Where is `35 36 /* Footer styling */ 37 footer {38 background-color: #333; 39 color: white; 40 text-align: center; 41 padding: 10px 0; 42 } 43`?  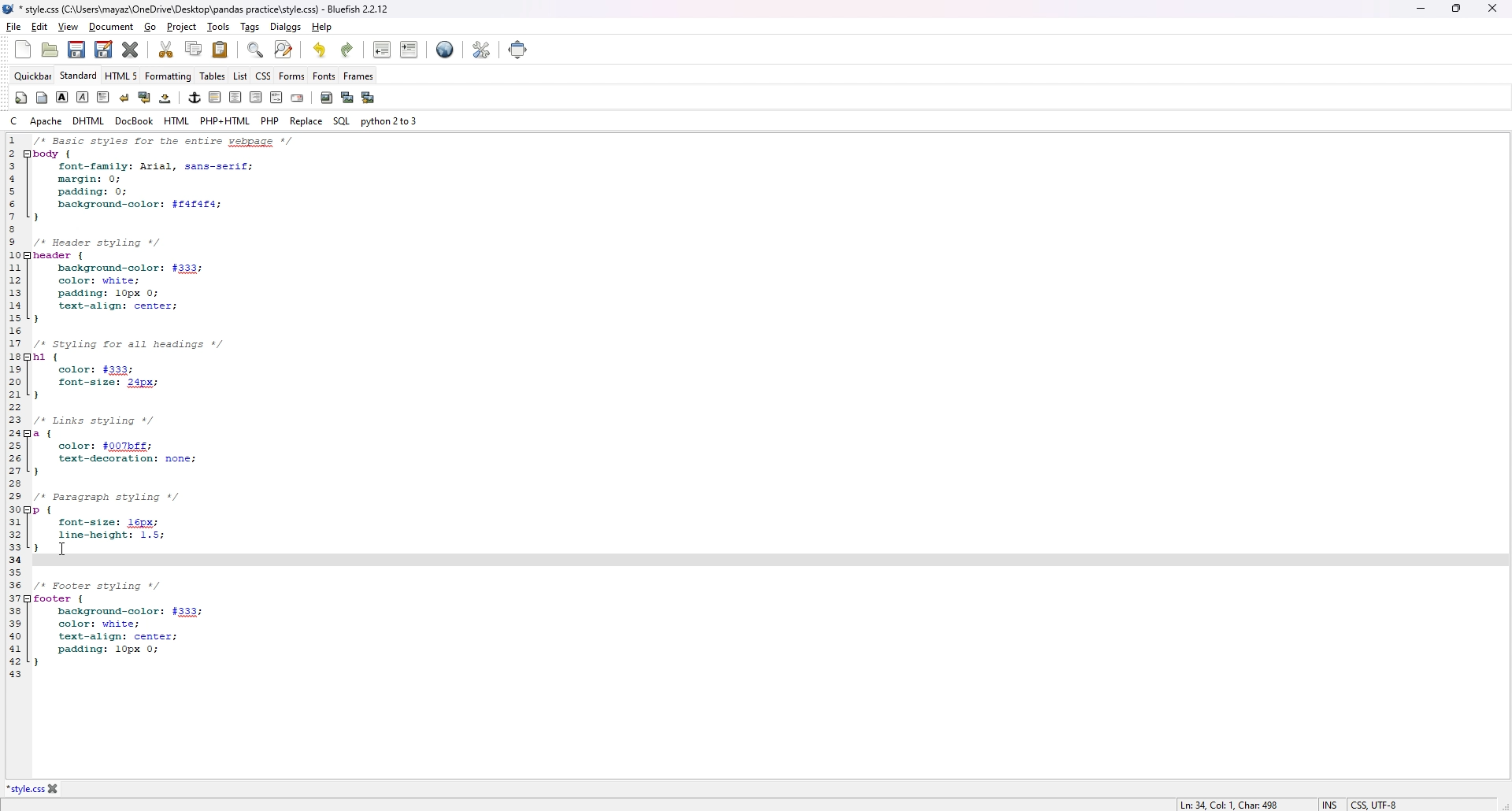
35 36 /* Footer styling */ 37 footer {38 background-color: #333; 39 color: white; 40 text-align: center; 41 padding: 10px 0; 42 } 43 is located at coordinates (113, 623).